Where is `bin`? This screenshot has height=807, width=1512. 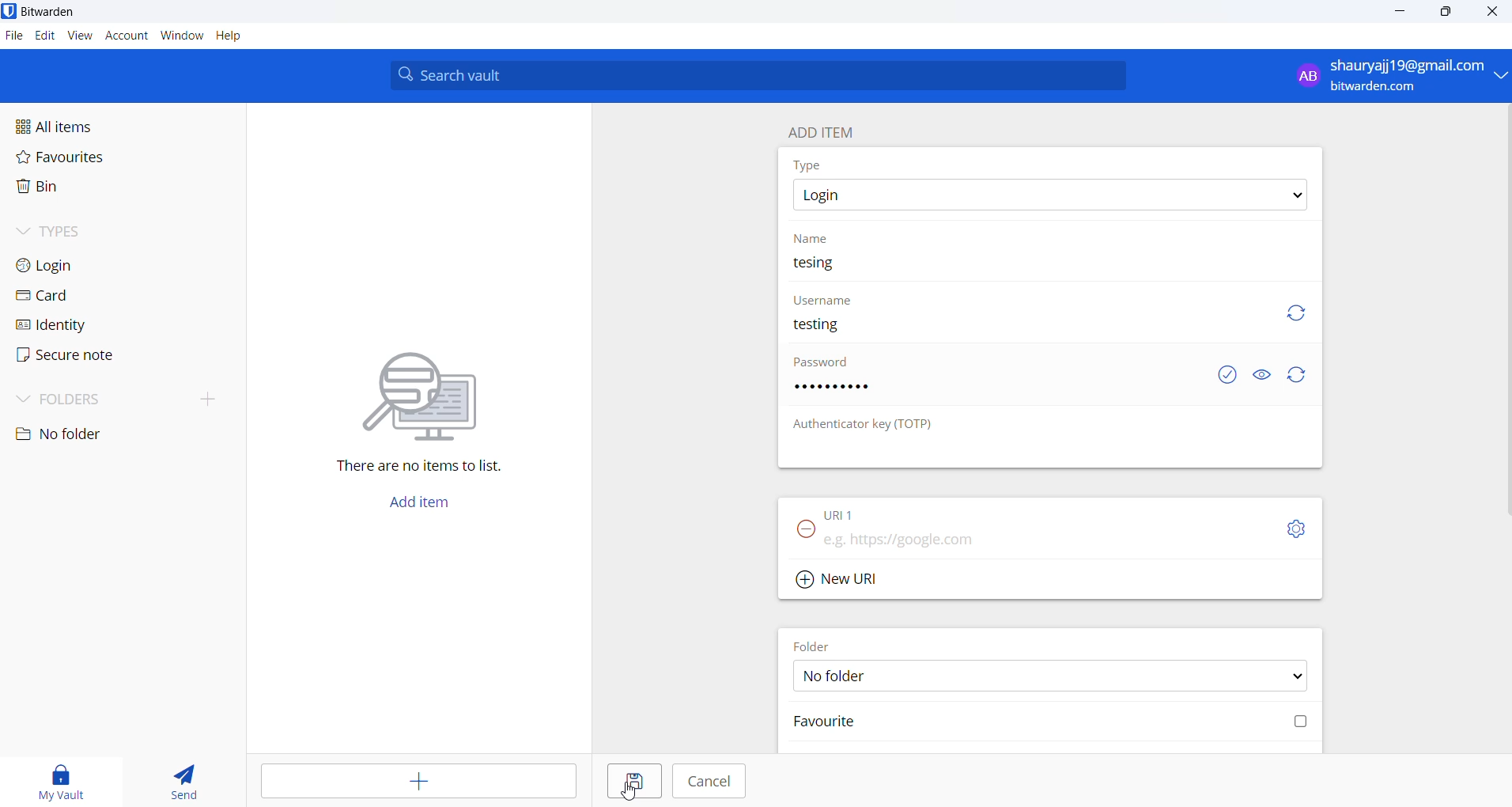 bin is located at coordinates (81, 191).